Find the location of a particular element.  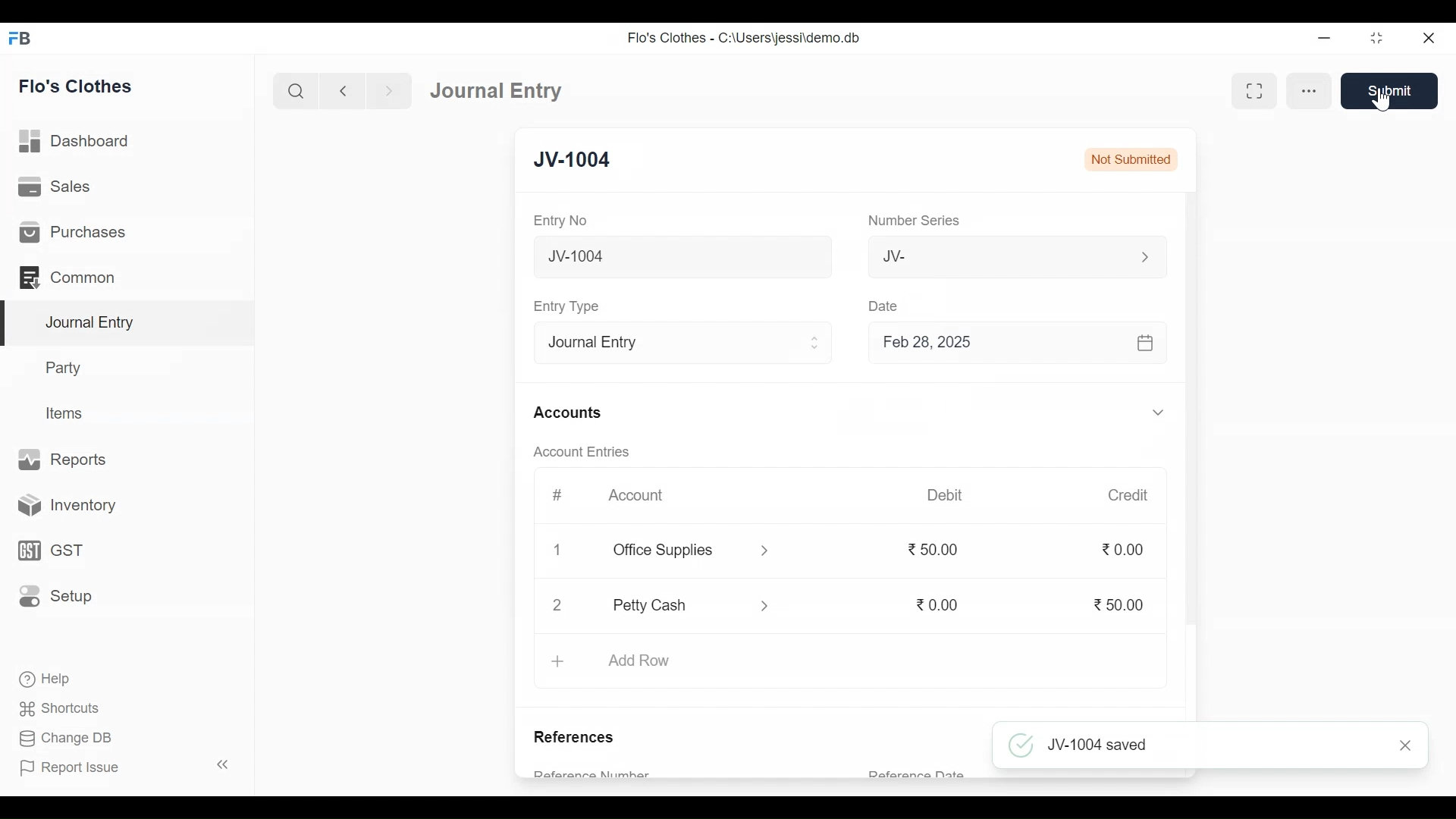

Help is located at coordinates (43, 677).